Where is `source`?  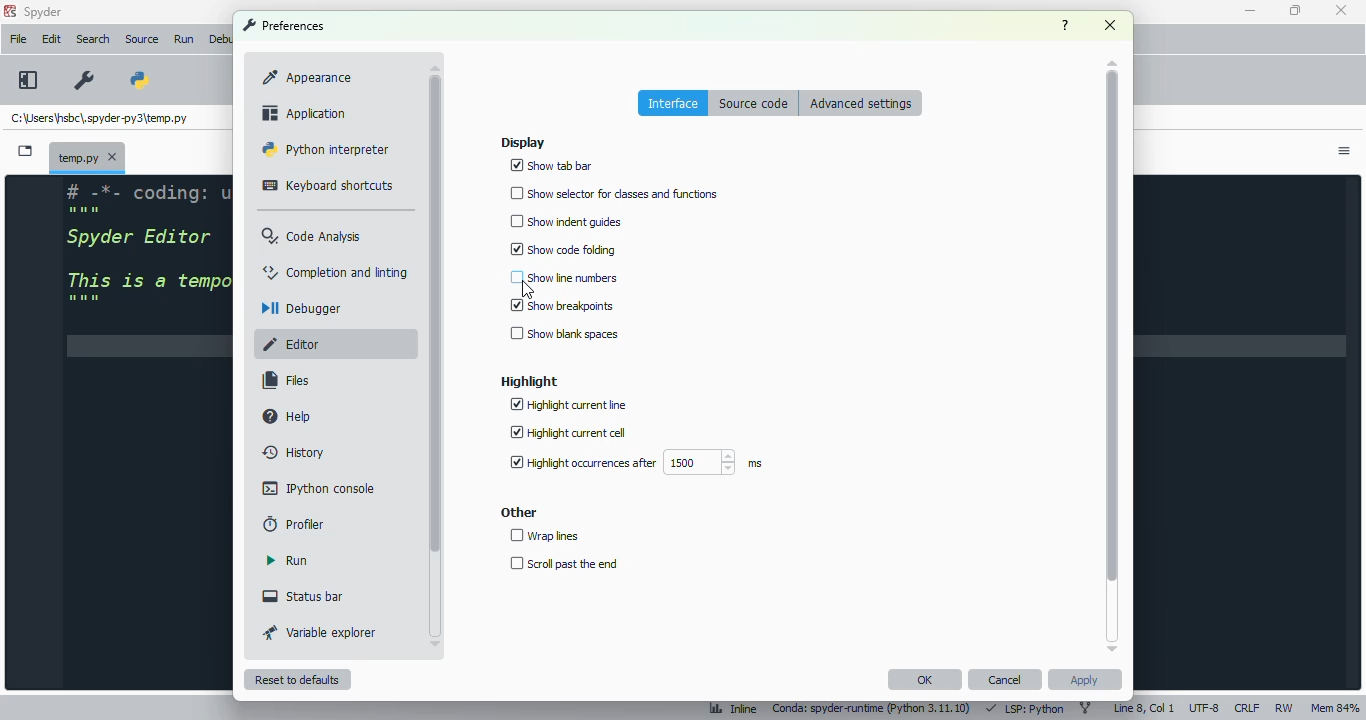 source is located at coordinates (142, 39).